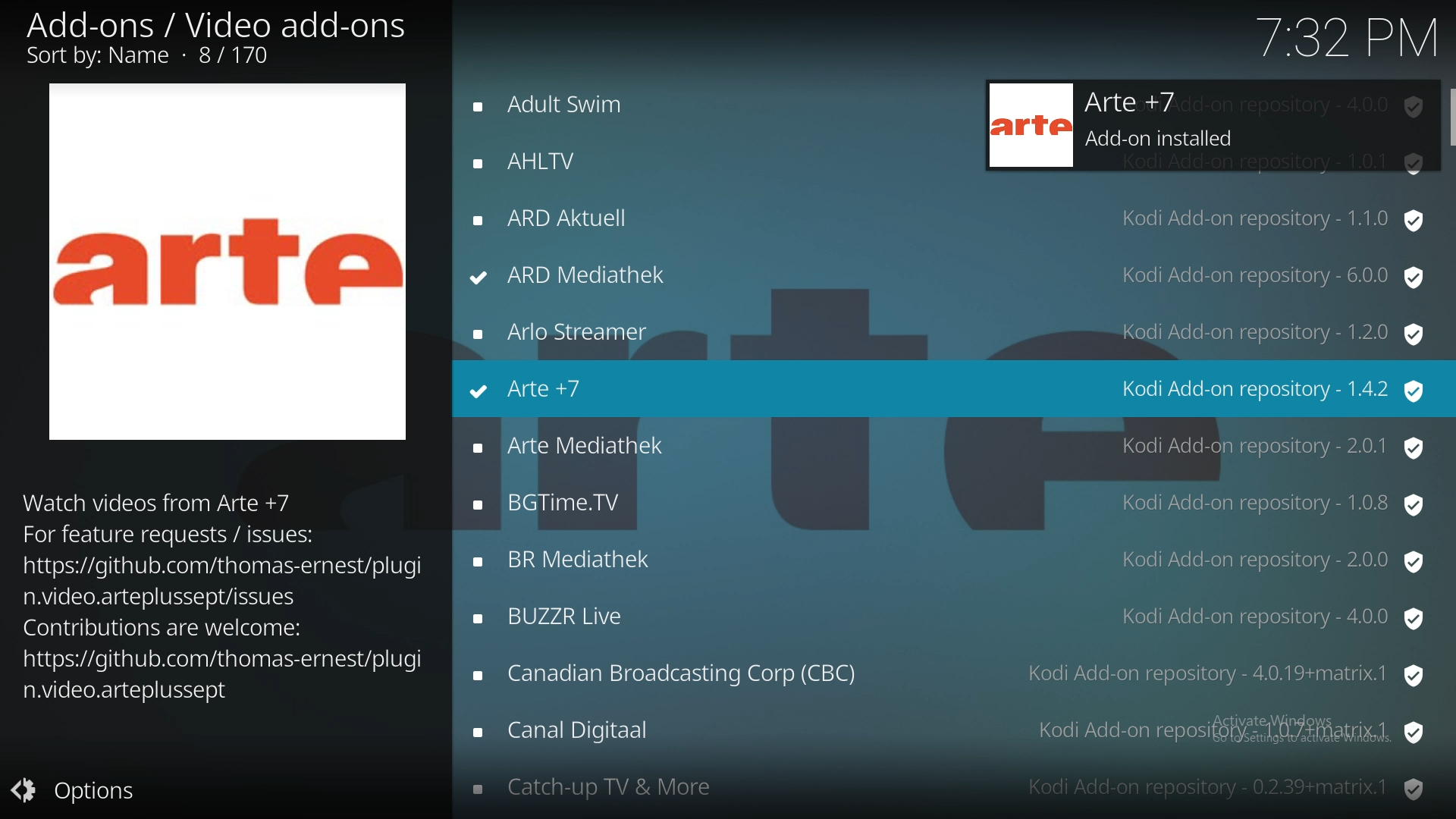  I want to click on add on, so click(584, 158).